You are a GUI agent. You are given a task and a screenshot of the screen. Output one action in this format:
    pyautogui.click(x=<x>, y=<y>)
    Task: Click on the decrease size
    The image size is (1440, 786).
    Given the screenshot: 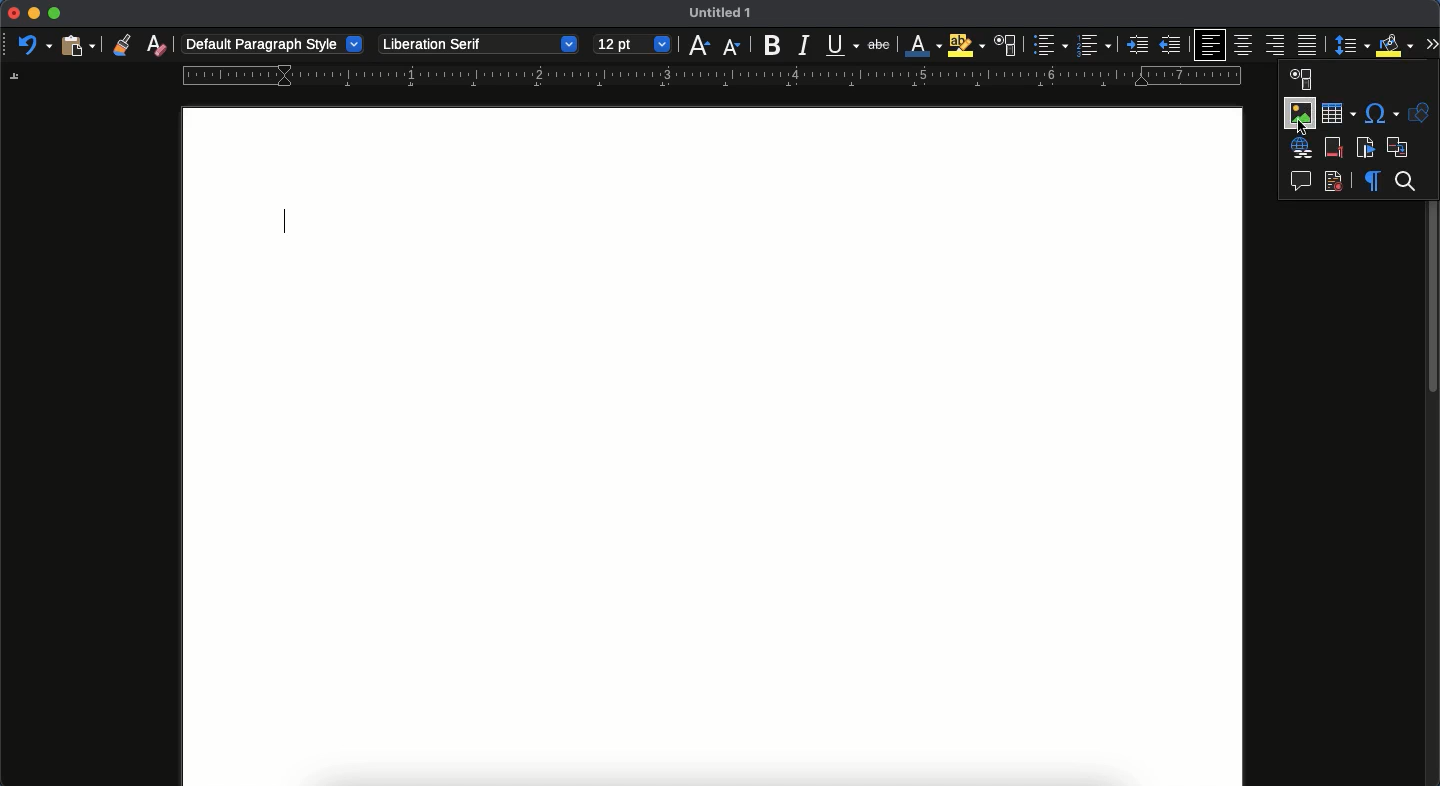 What is the action you would take?
    pyautogui.click(x=732, y=48)
    